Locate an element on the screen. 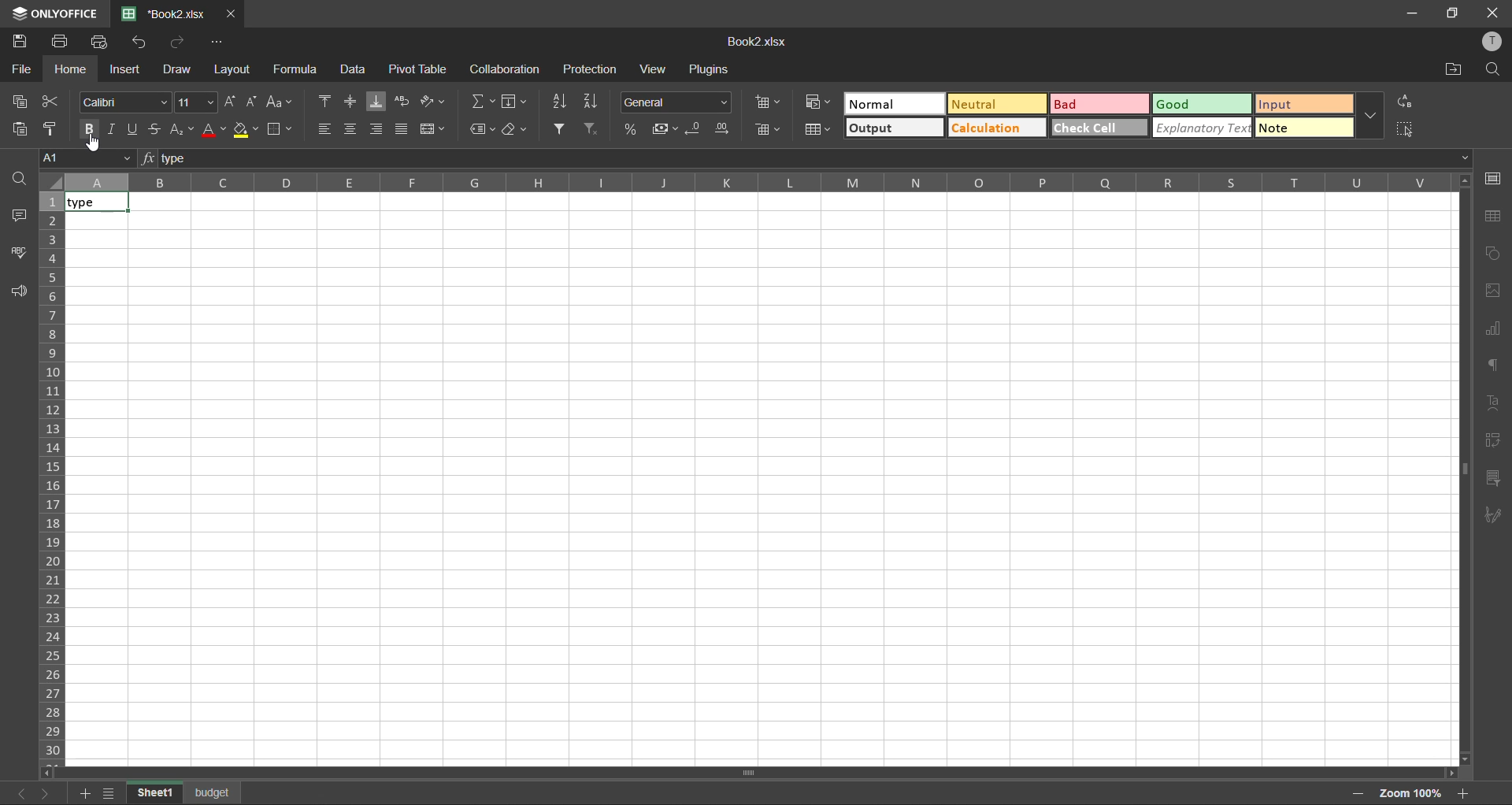  print is located at coordinates (61, 42).